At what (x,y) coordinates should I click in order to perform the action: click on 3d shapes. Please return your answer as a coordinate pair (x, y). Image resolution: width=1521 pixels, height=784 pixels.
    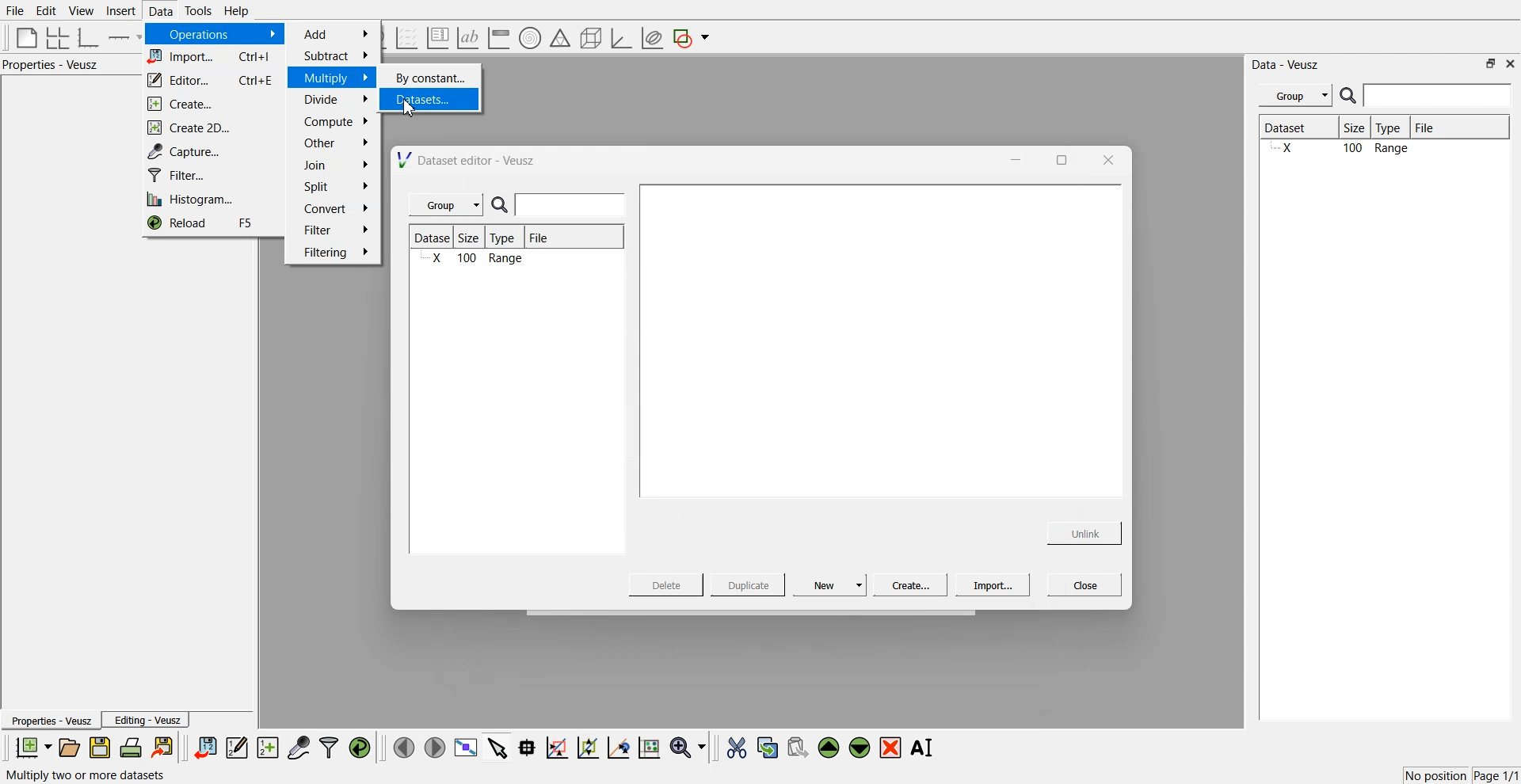
    Looking at the image, I should click on (588, 38).